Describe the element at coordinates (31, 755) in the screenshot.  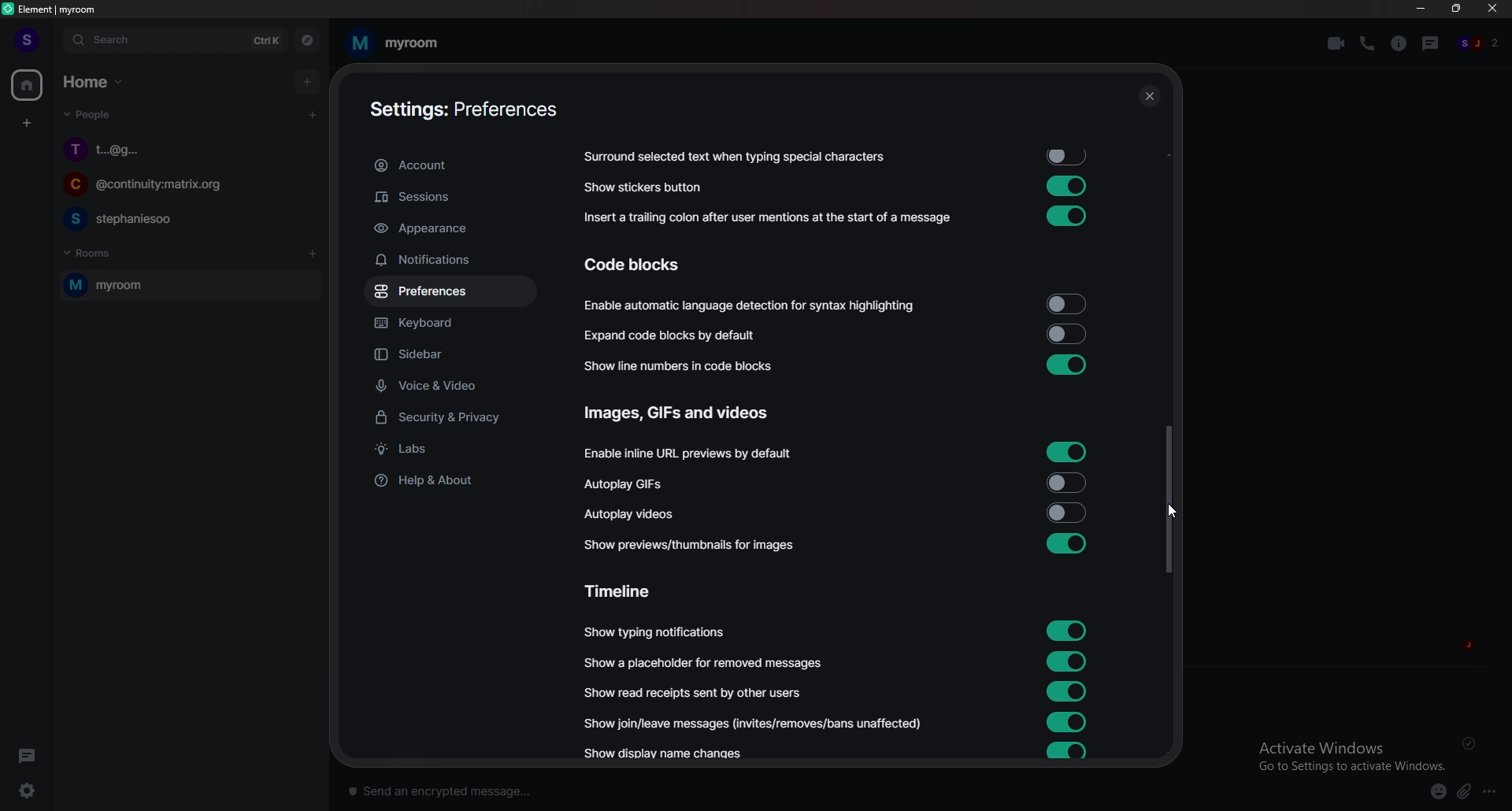
I see `dark` at that location.